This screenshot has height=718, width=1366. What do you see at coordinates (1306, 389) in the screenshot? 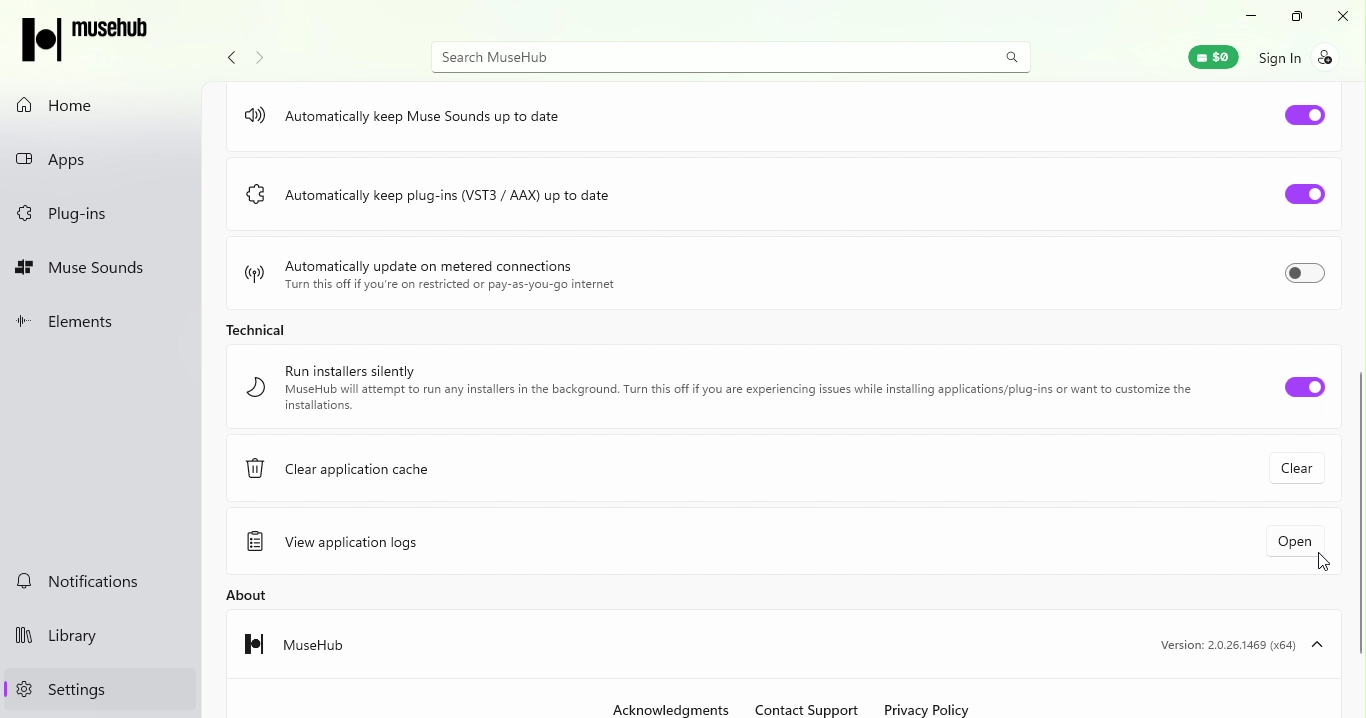
I see `Run installers silently` at bounding box center [1306, 389].